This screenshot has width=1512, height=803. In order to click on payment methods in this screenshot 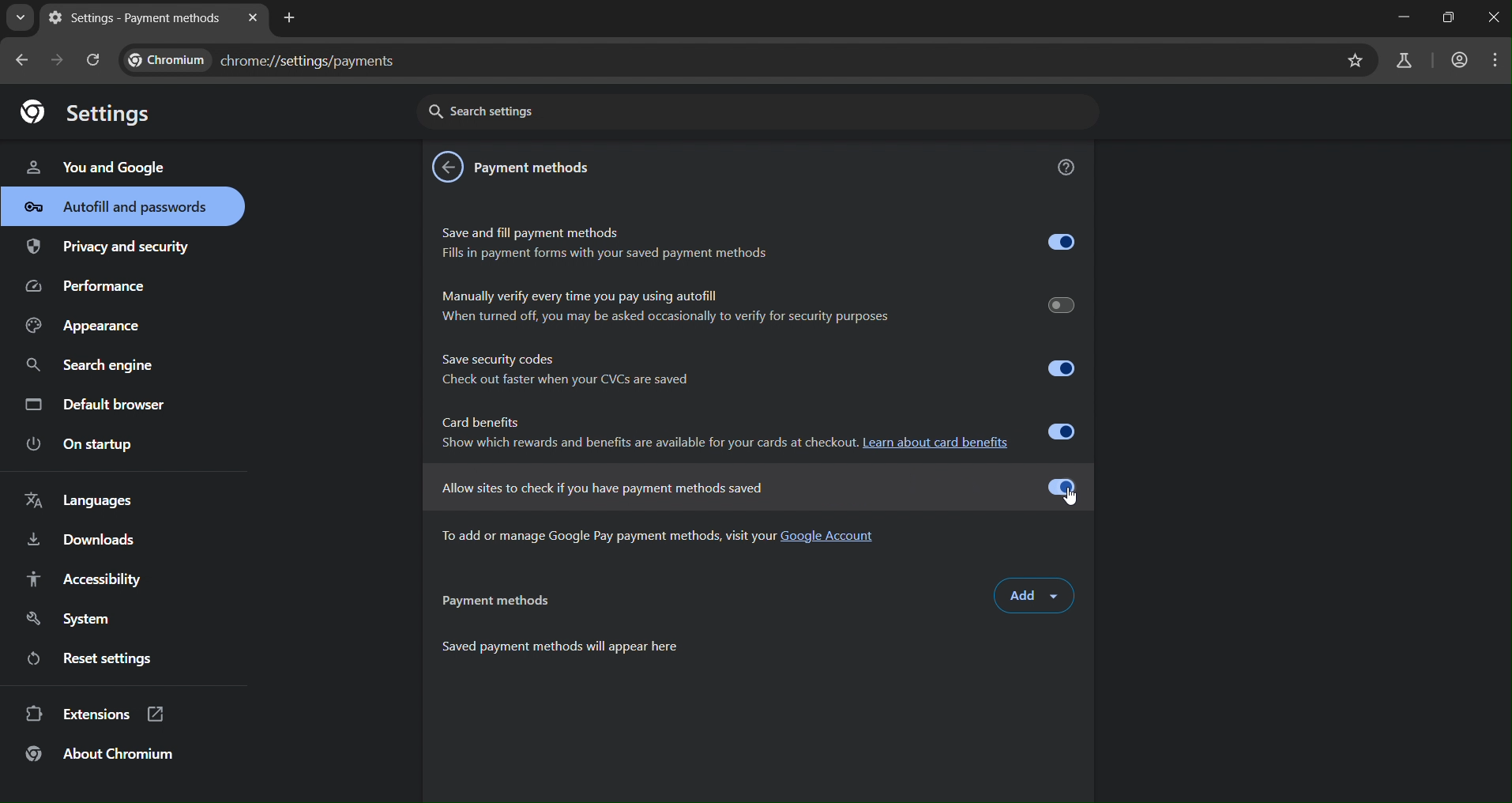, I will do `click(536, 169)`.